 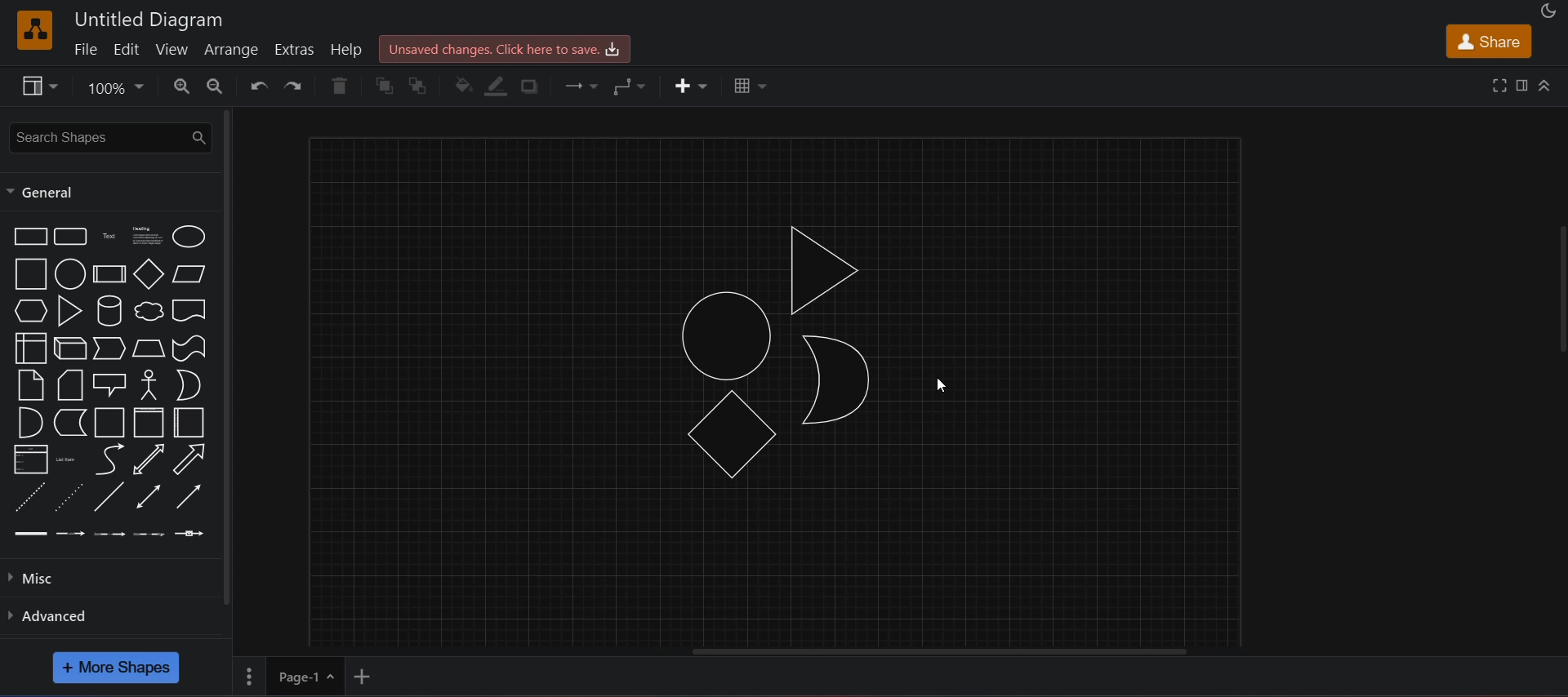 What do you see at coordinates (226, 356) in the screenshot?
I see `vertical scroll bar` at bounding box center [226, 356].